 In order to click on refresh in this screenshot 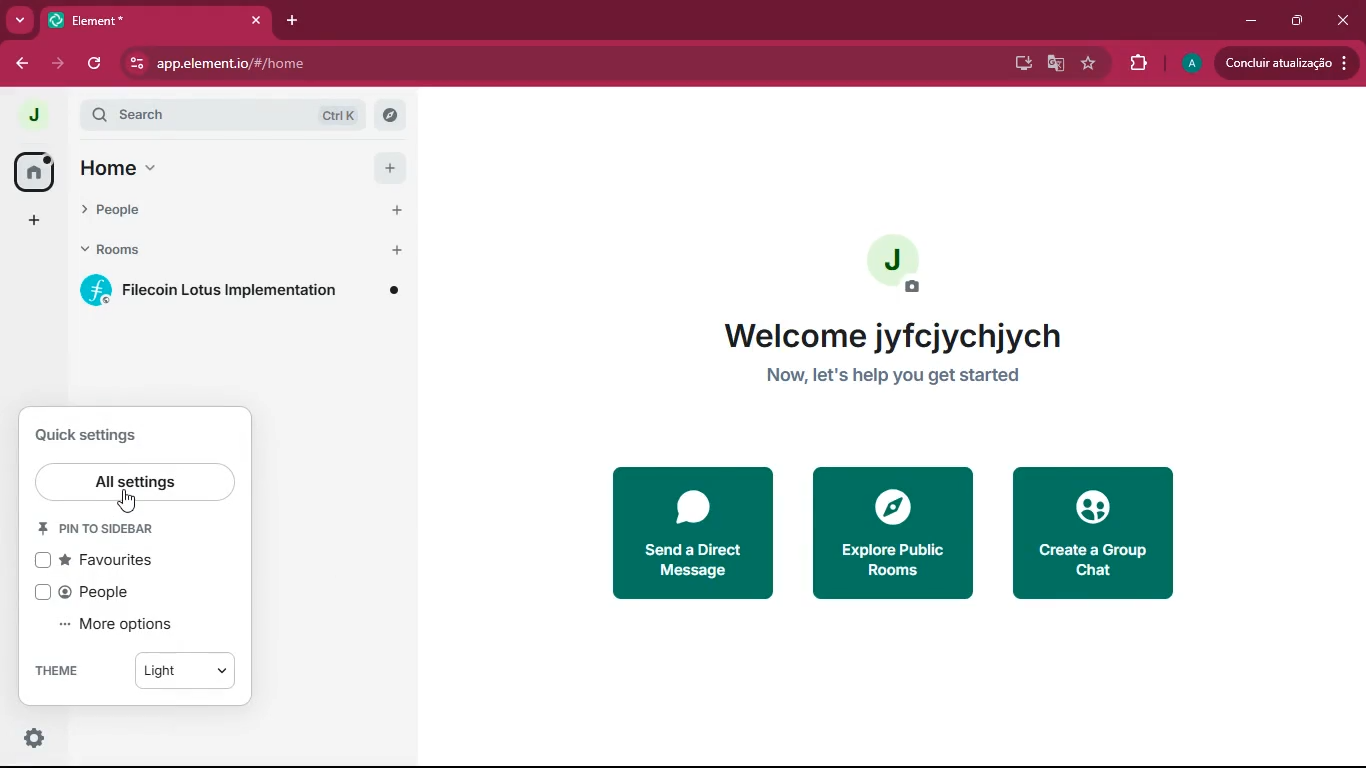, I will do `click(96, 65)`.